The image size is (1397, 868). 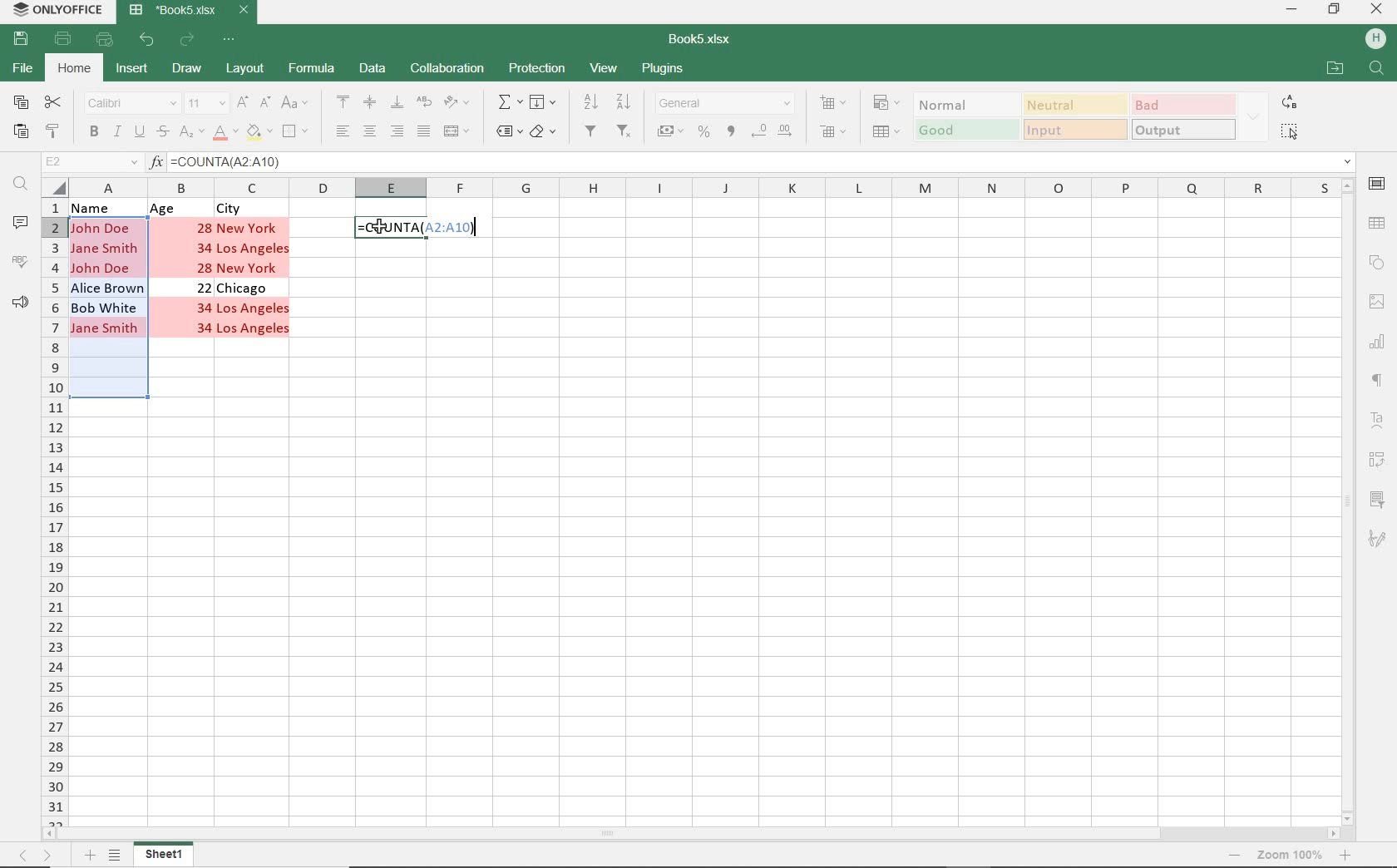 I want to click on SHAPE, so click(x=1376, y=261).